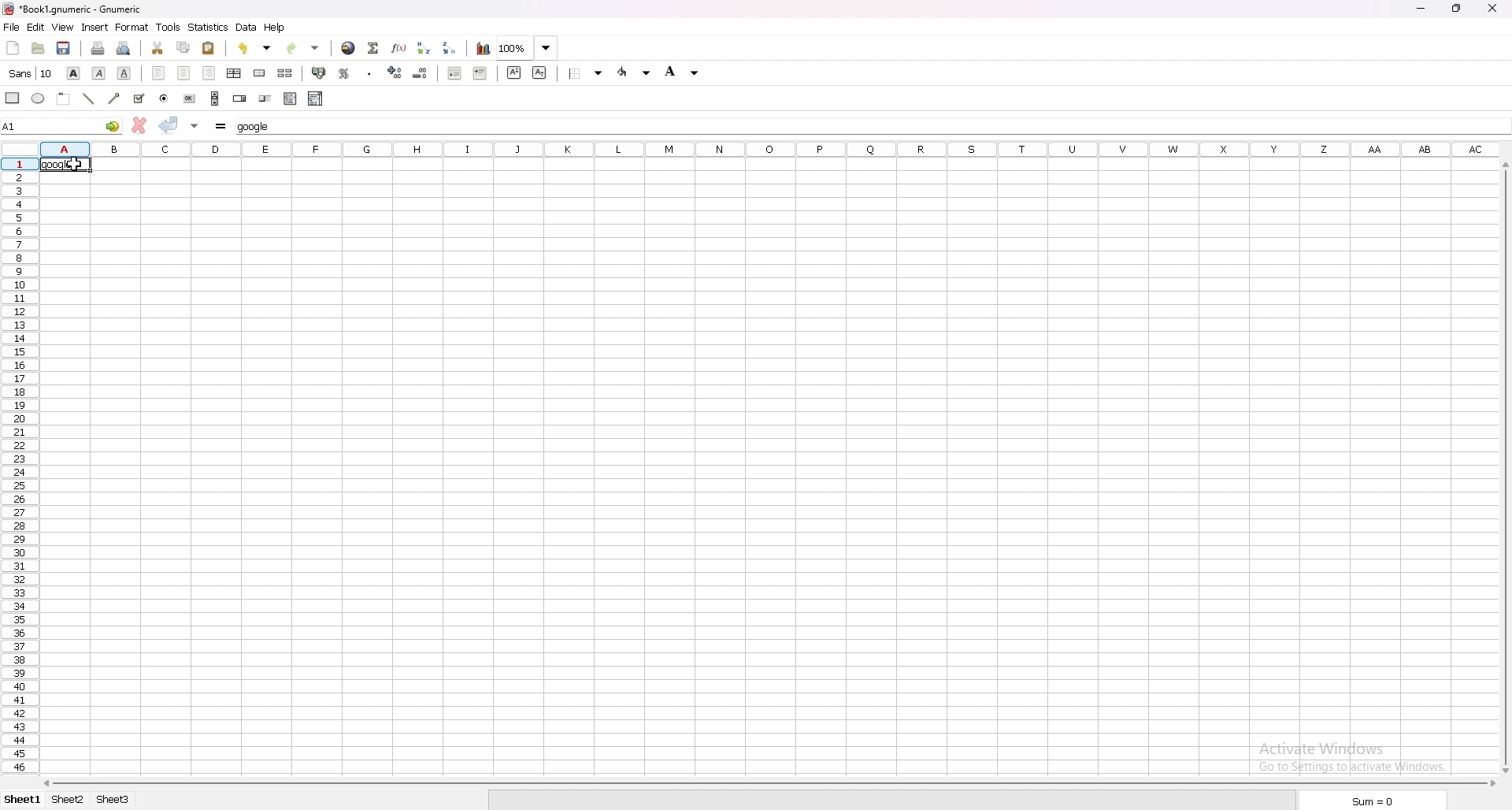 The width and height of the screenshot is (1512, 810). Describe the element at coordinates (636, 72) in the screenshot. I see `foreground` at that location.